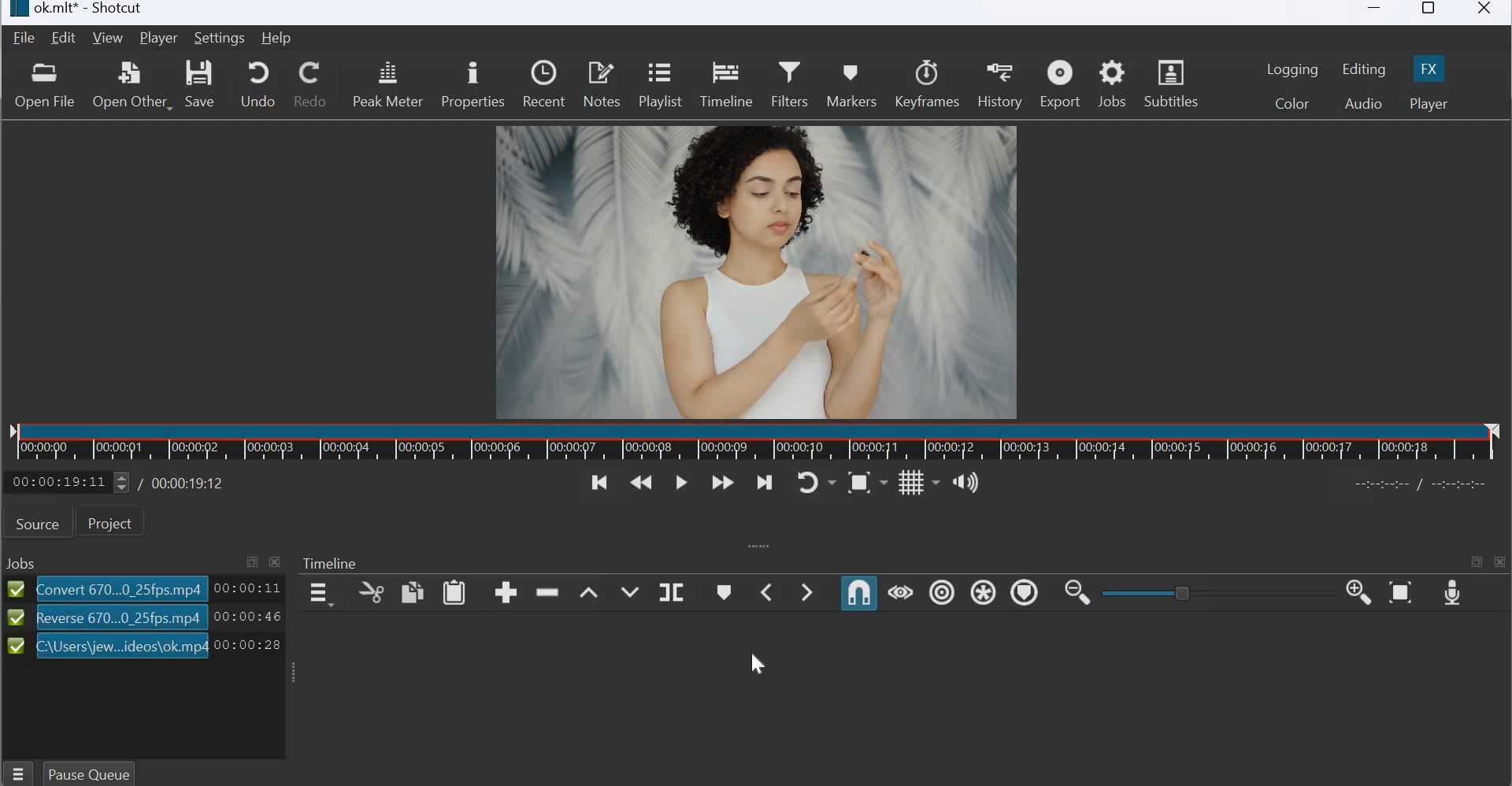 This screenshot has height=786, width=1512. What do you see at coordinates (454, 593) in the screenshot?
I see `paste` at bounding box center [454, 593].